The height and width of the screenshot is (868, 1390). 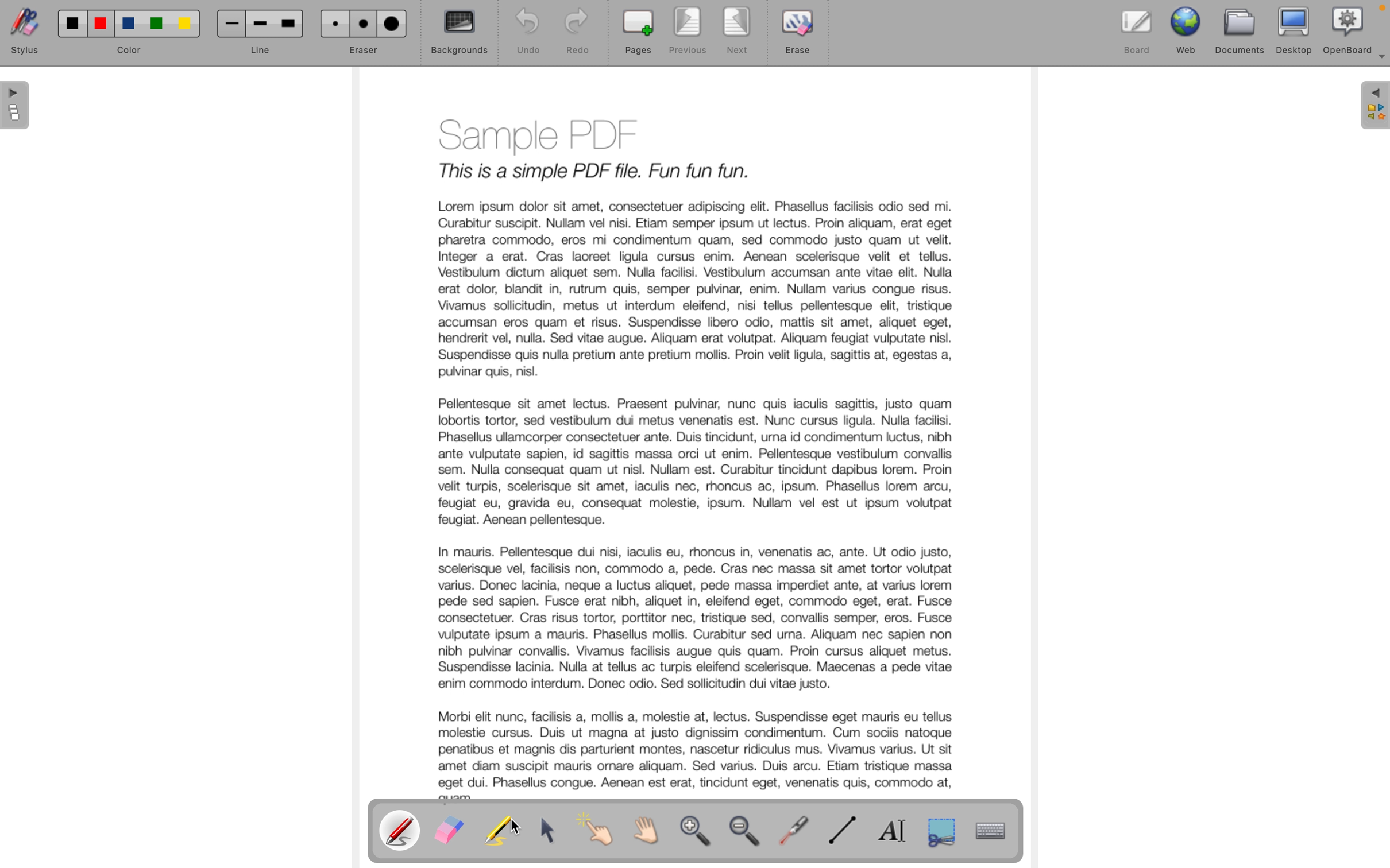 I want to click on openboard, so click(x=1348, y=29).